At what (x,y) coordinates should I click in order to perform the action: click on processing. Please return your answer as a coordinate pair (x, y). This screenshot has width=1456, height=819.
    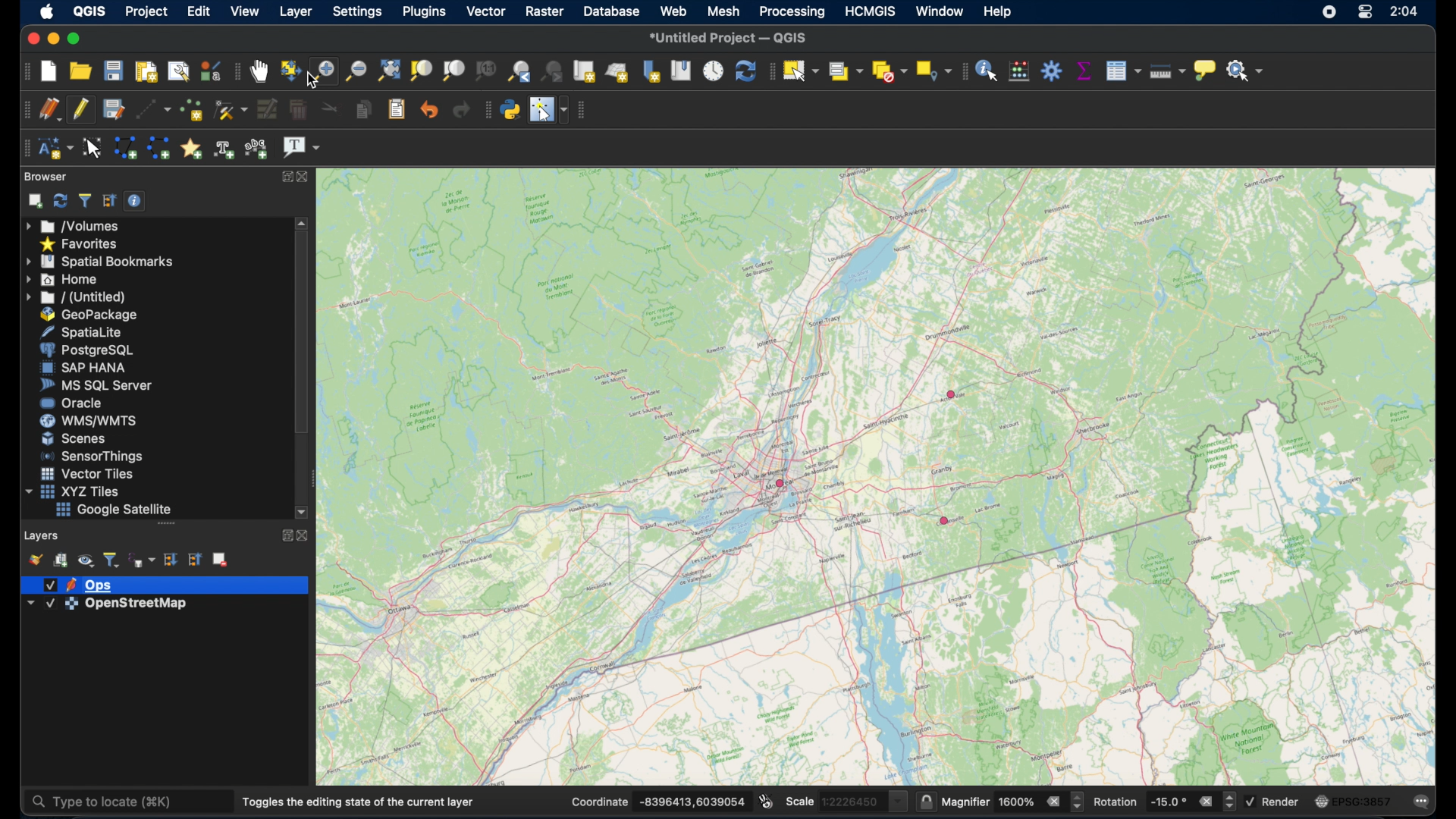
    Looking at the image, I should click on (792, 13).